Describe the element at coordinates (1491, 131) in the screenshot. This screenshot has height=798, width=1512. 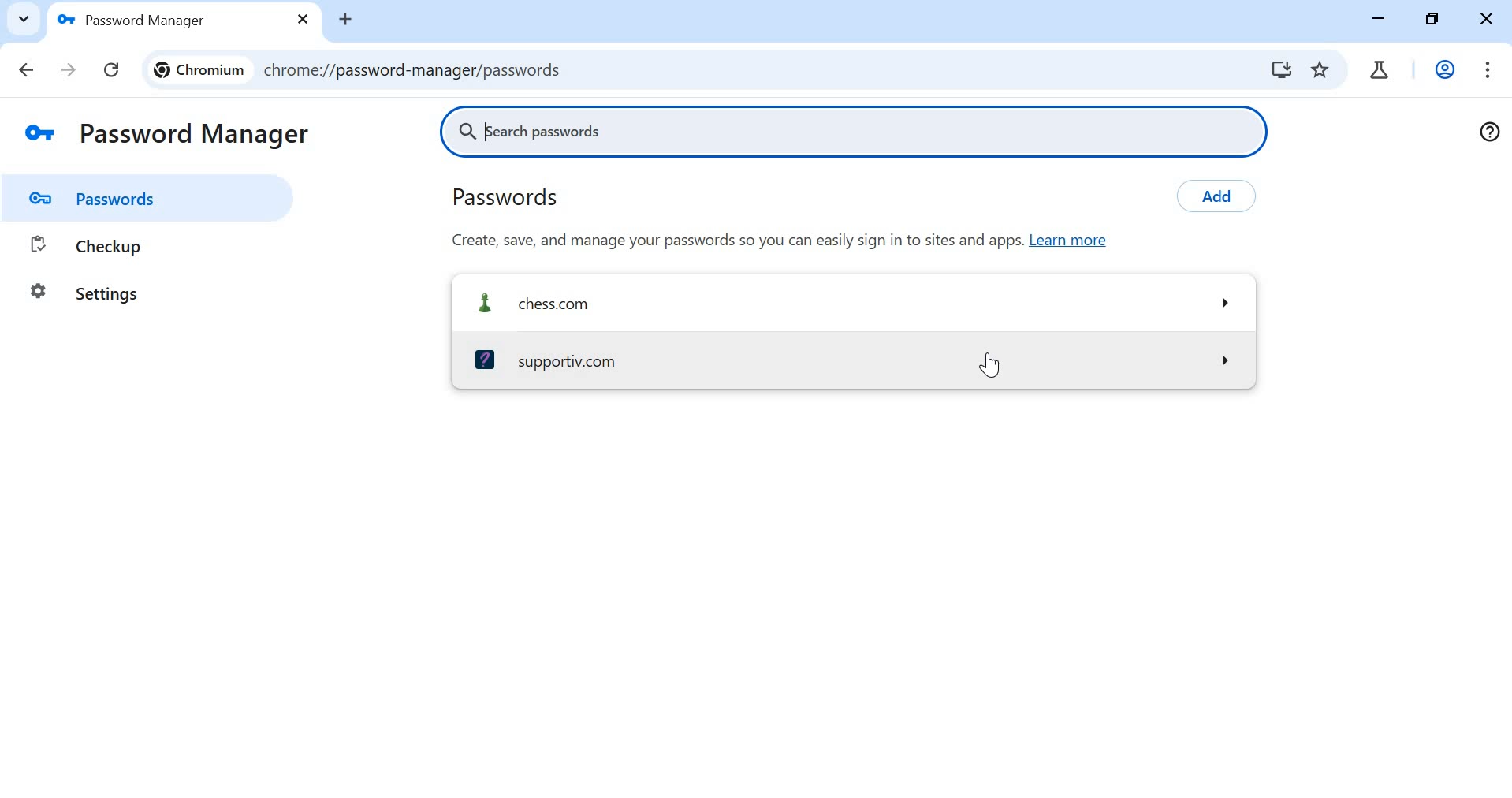
I see `help` at that location.